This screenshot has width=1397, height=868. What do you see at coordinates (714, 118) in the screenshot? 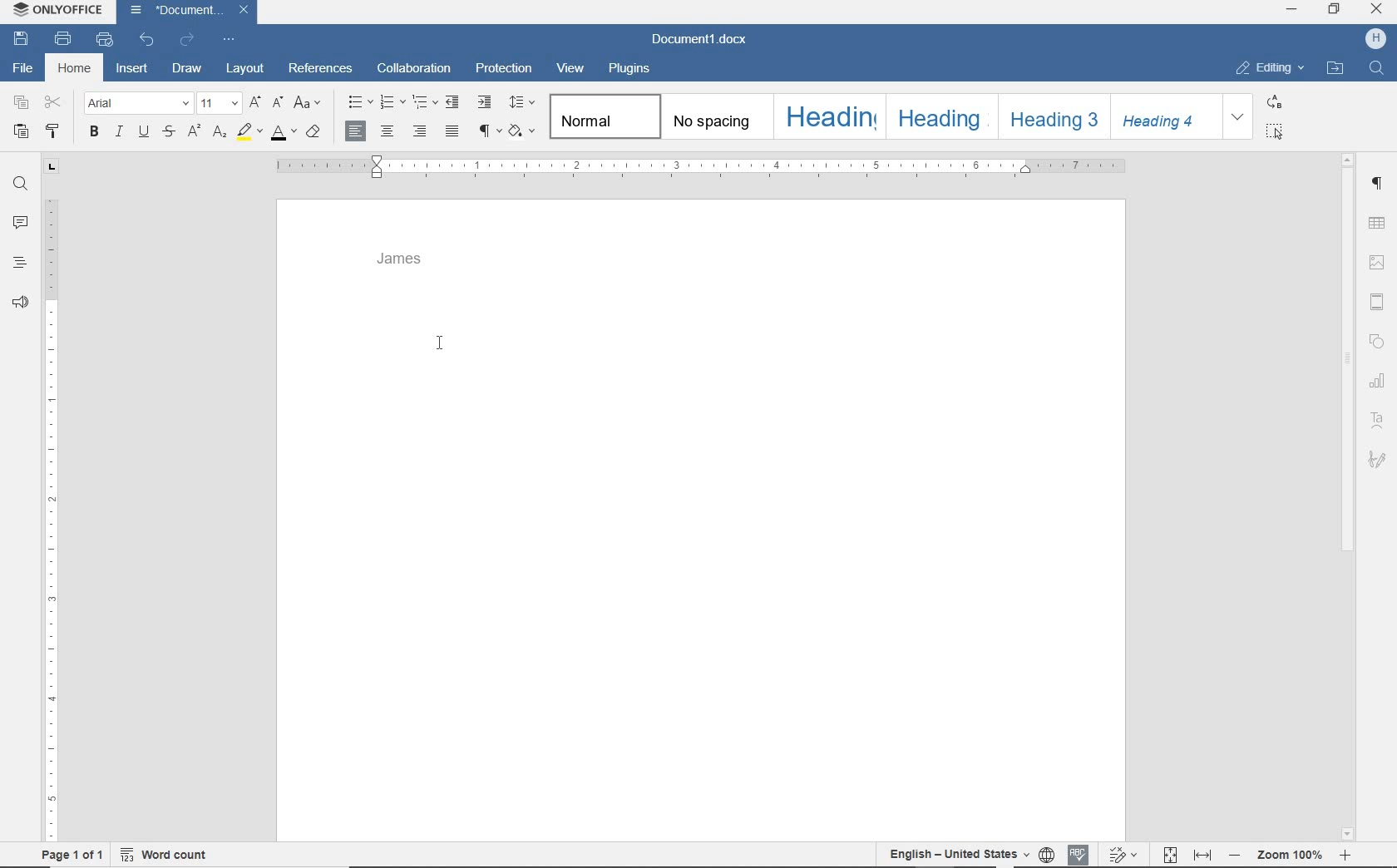
I see `No Spacing` at bounding box center [714, 118].